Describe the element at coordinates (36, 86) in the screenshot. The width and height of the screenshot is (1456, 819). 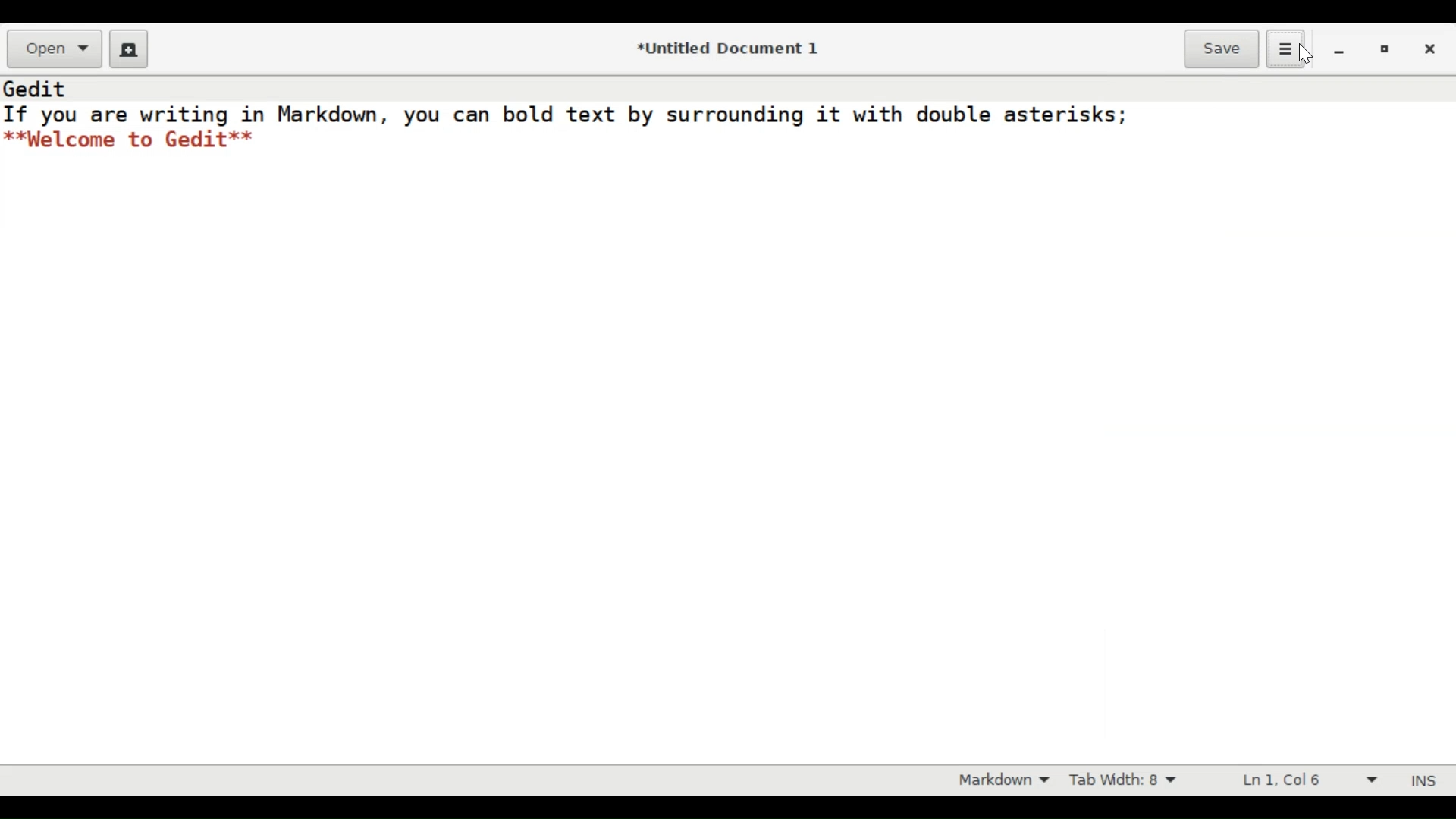
I see `Gedit` at that location.